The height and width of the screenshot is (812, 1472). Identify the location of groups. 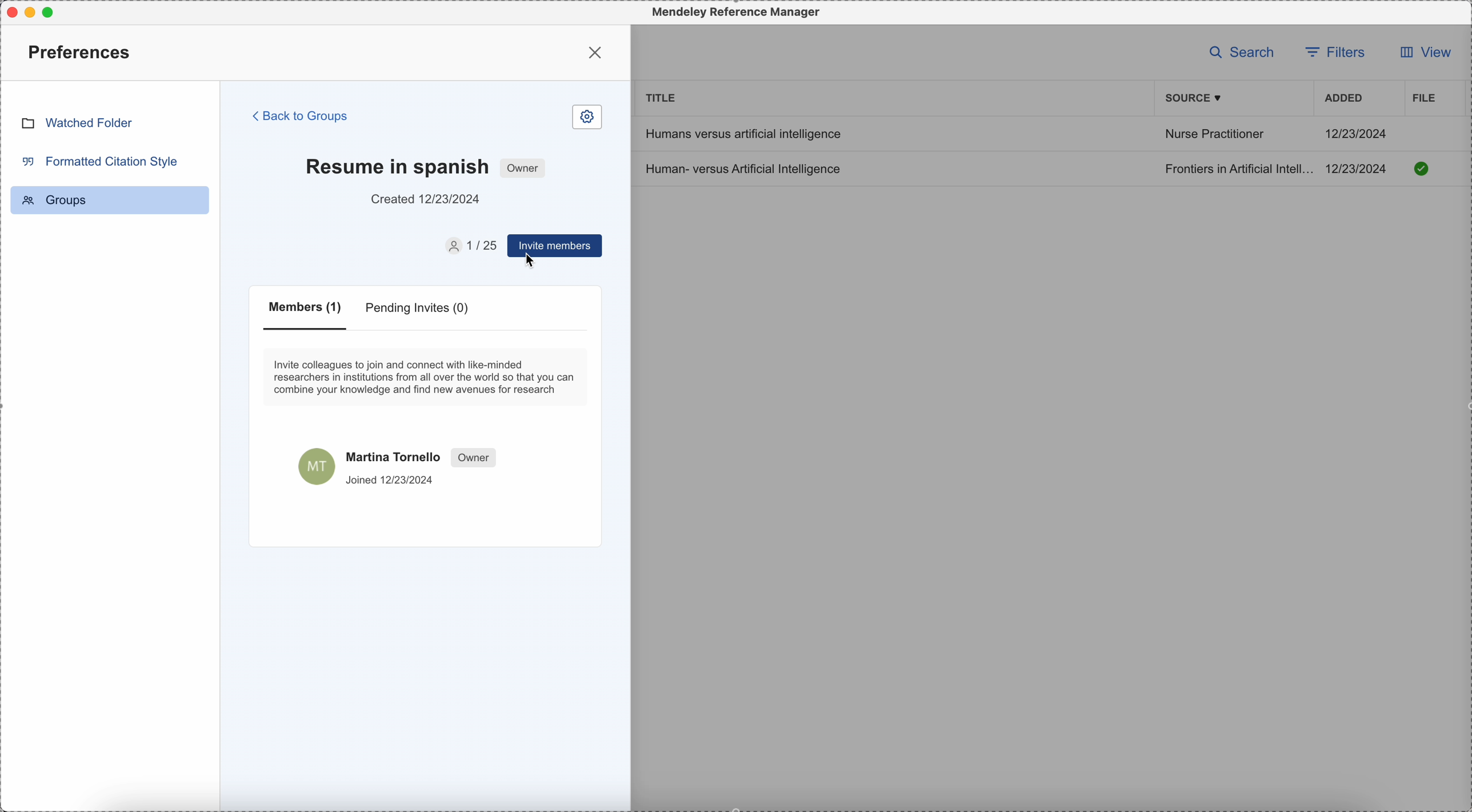
(110, 200).